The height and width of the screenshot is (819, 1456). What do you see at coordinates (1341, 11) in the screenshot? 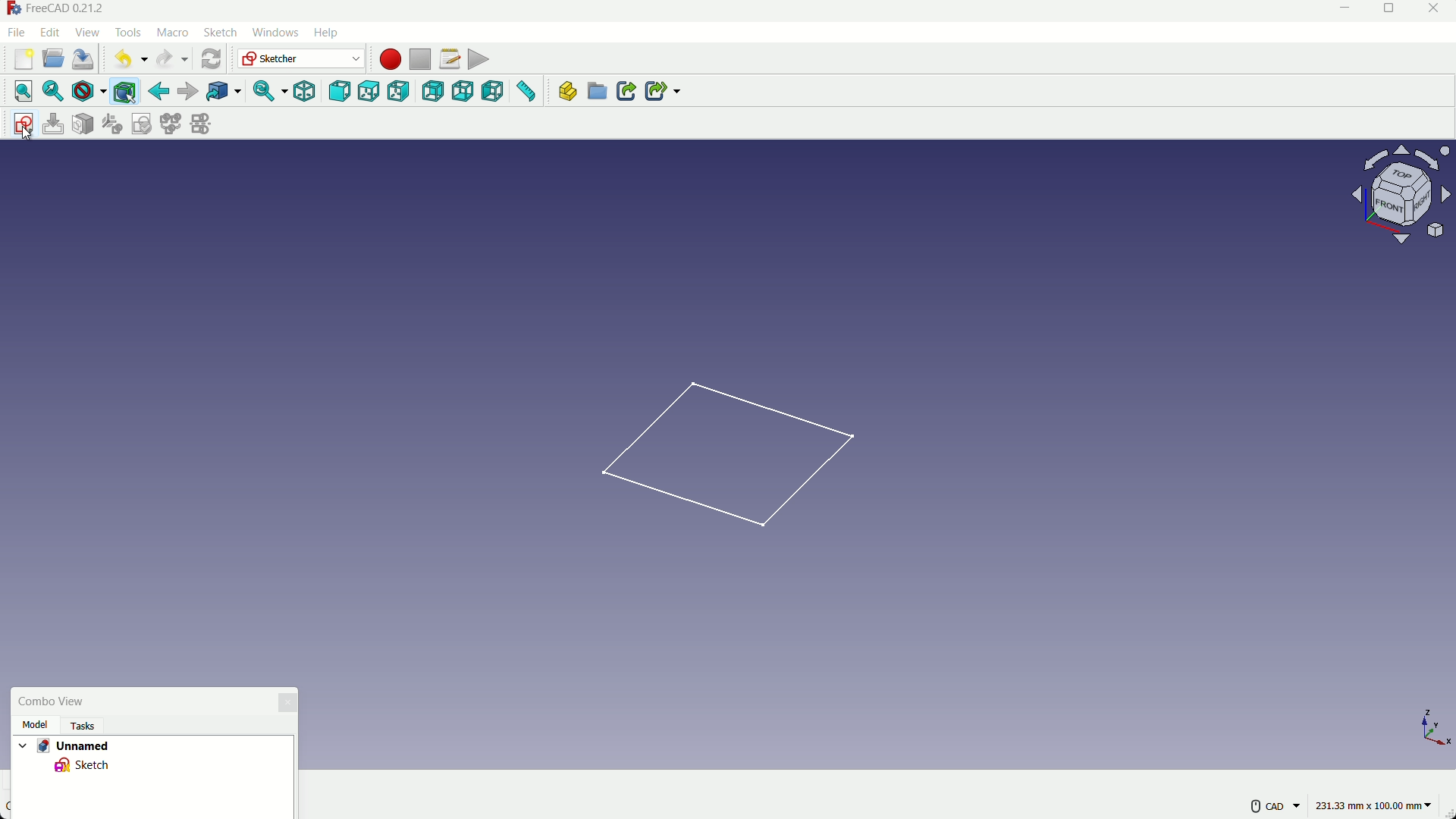
I see `minimize` at bounding box center [1341, 11].